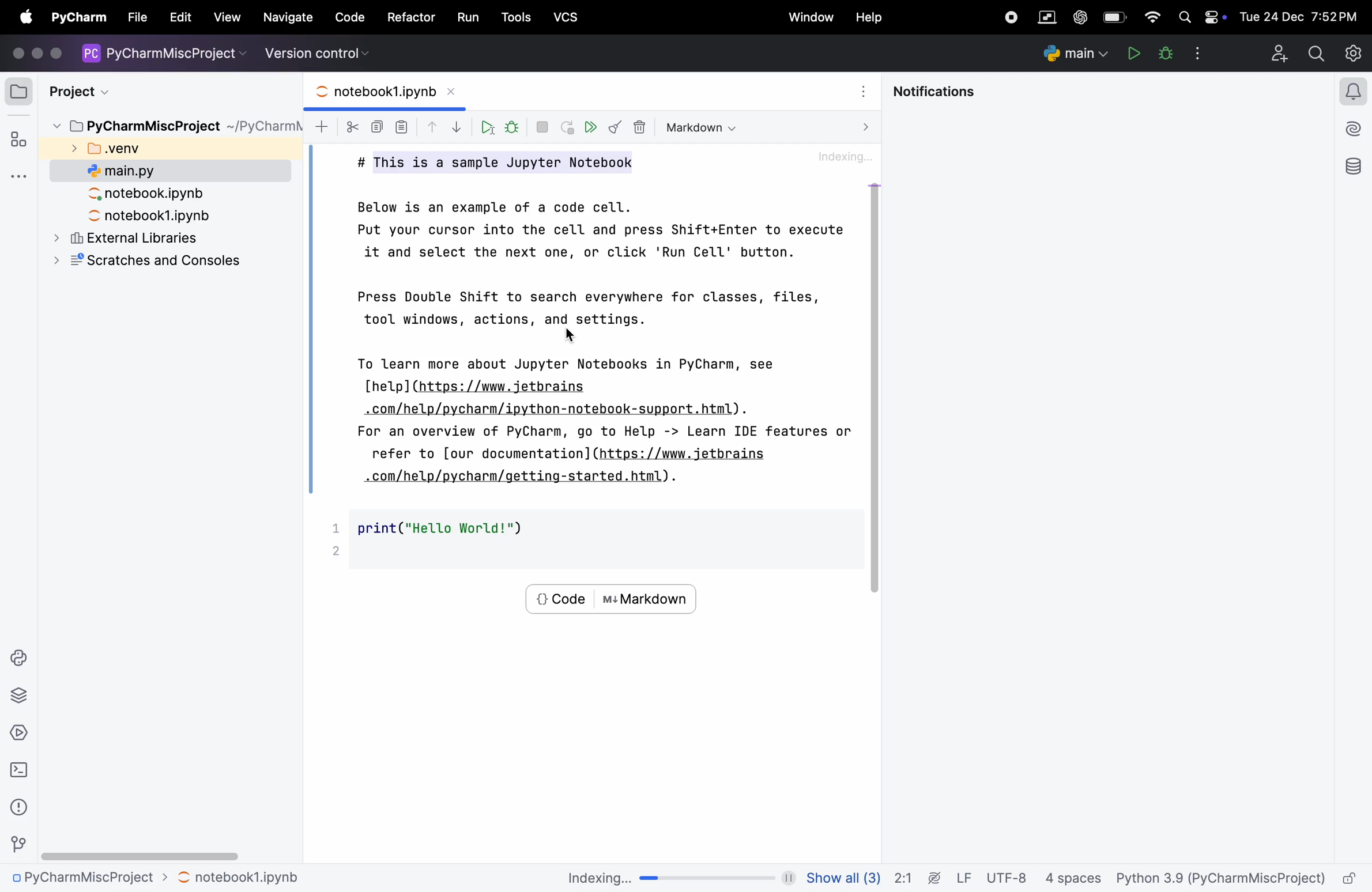 Image resolution: width=1372 pixels, height=892 pixels. I want to click on debug main, so click(1162, 53).